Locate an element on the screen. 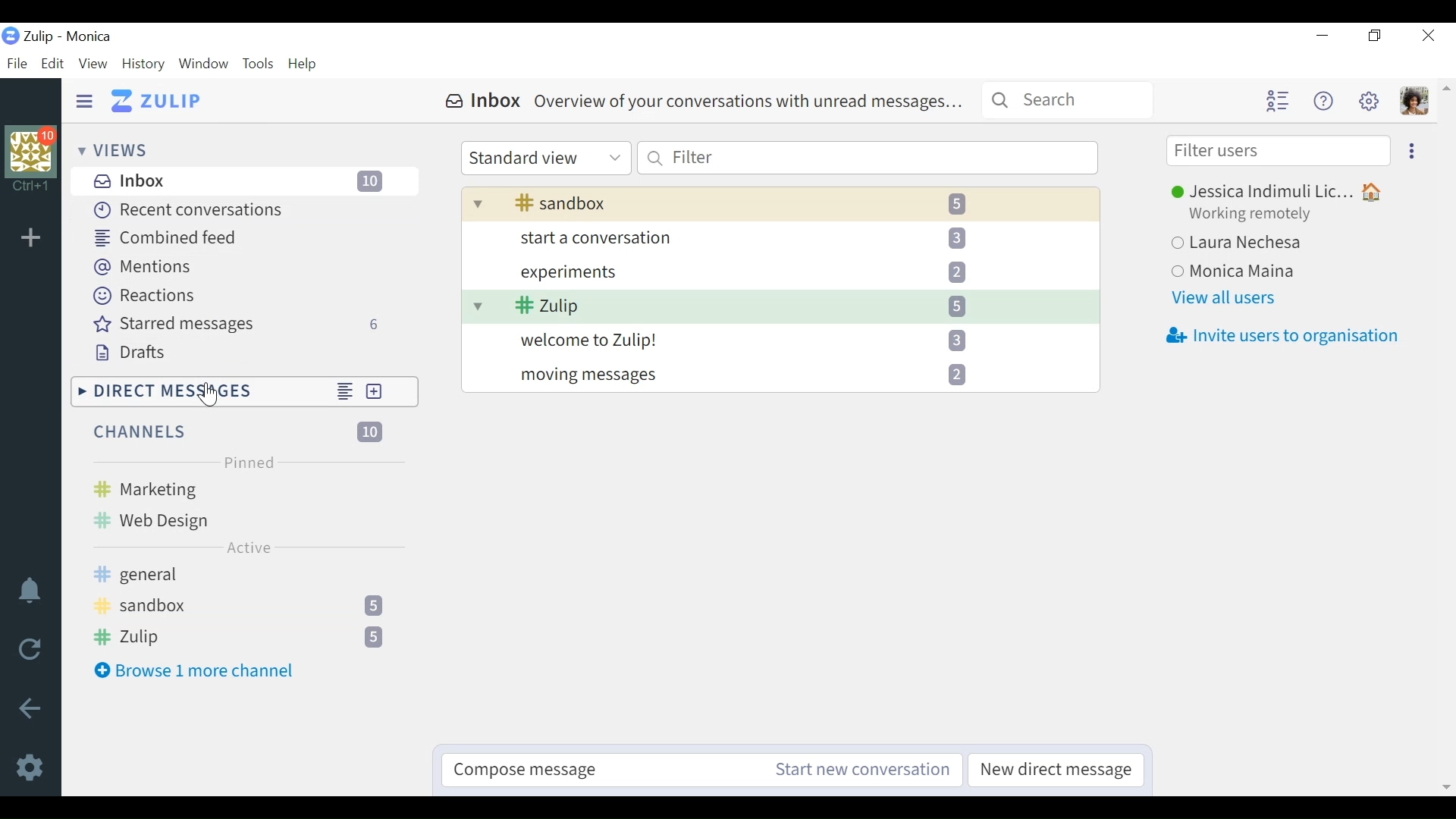  Reactions is located at coordinates (151, 297).